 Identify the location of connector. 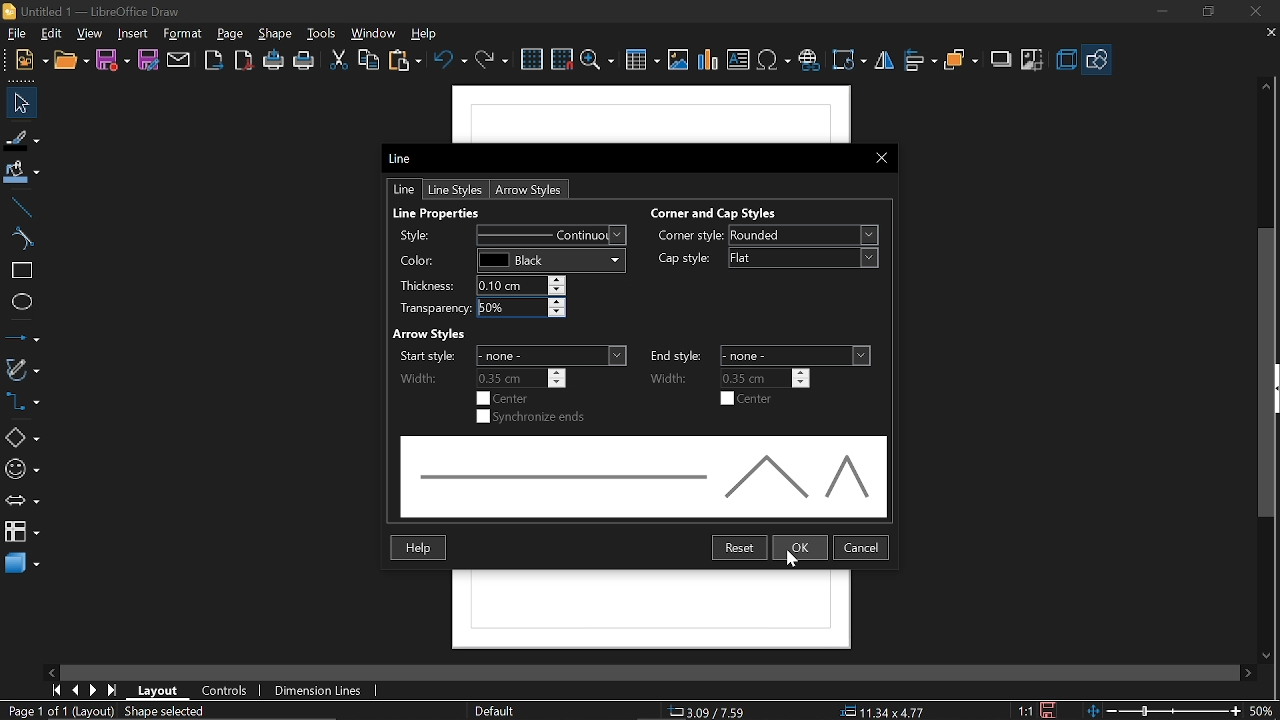
(21, 402).